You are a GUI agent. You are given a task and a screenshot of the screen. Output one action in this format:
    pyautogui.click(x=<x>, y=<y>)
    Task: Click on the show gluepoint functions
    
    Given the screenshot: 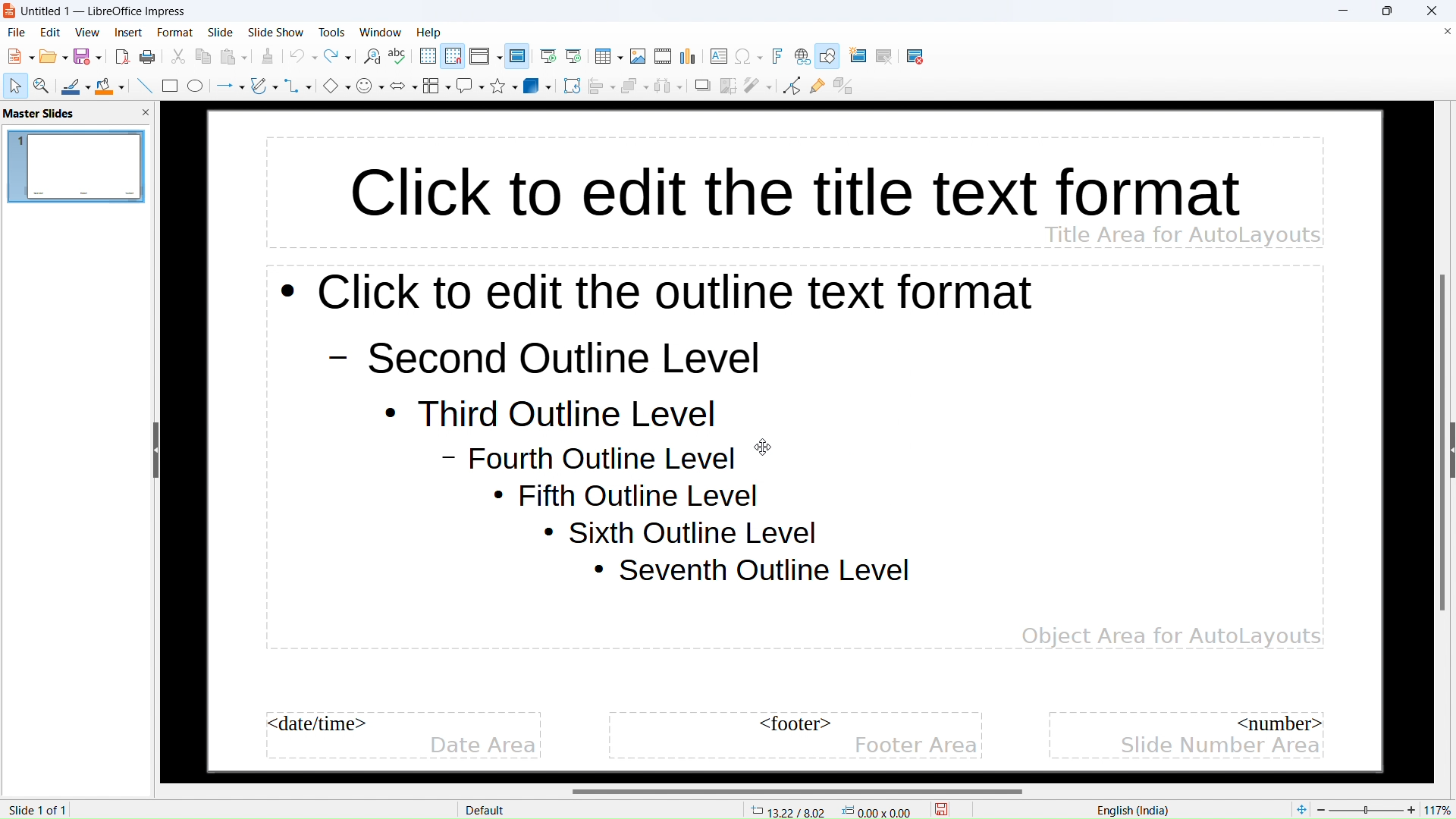 What is the action you would take?
    pyautogui.click(x=817, y=86)
    